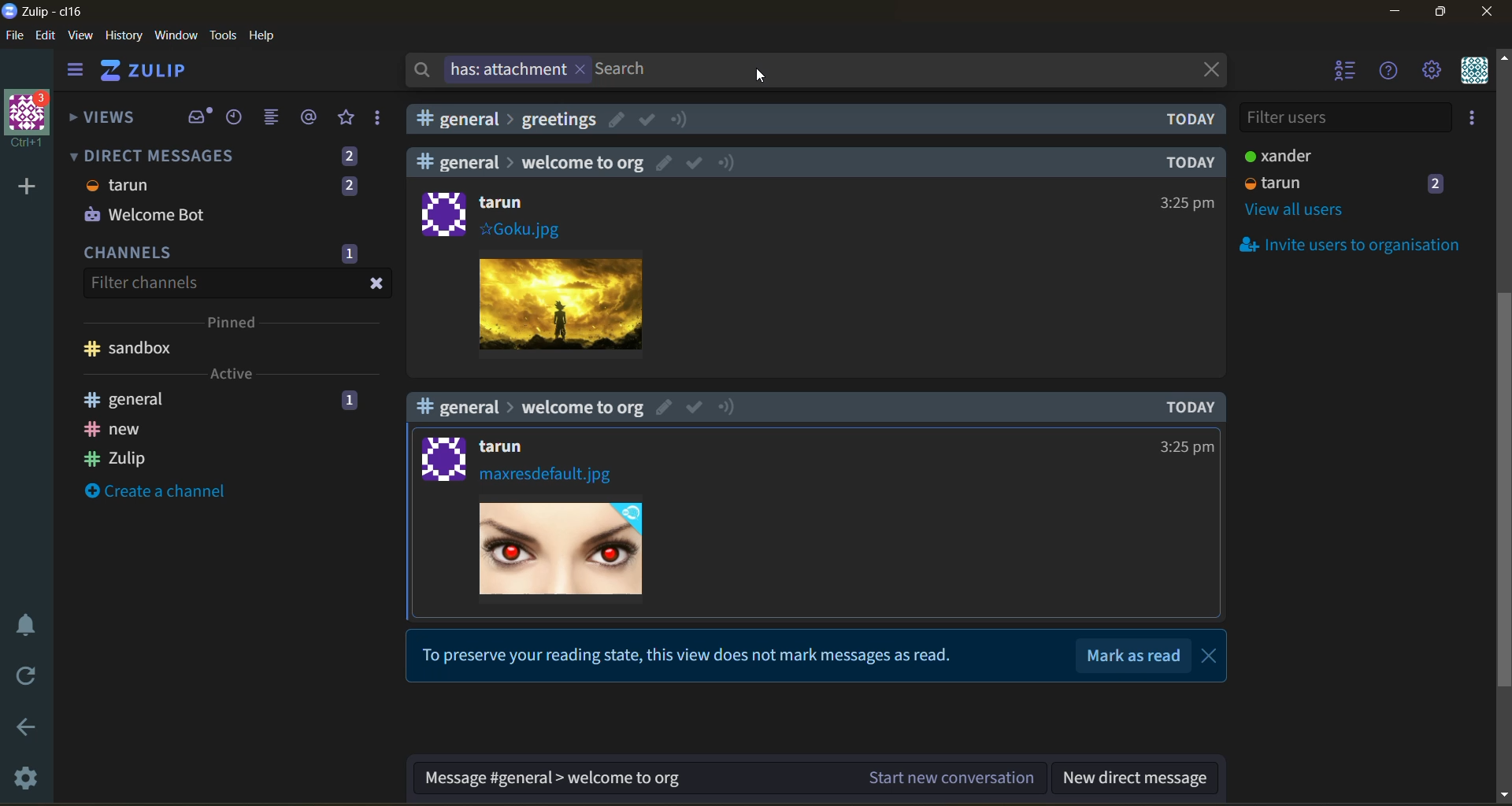 This screenshot has width=1512, height=806. What do you see at coordinates (507, 119) in the screenshot?
I see `# general > greetings` at bounding box center [507, 119].